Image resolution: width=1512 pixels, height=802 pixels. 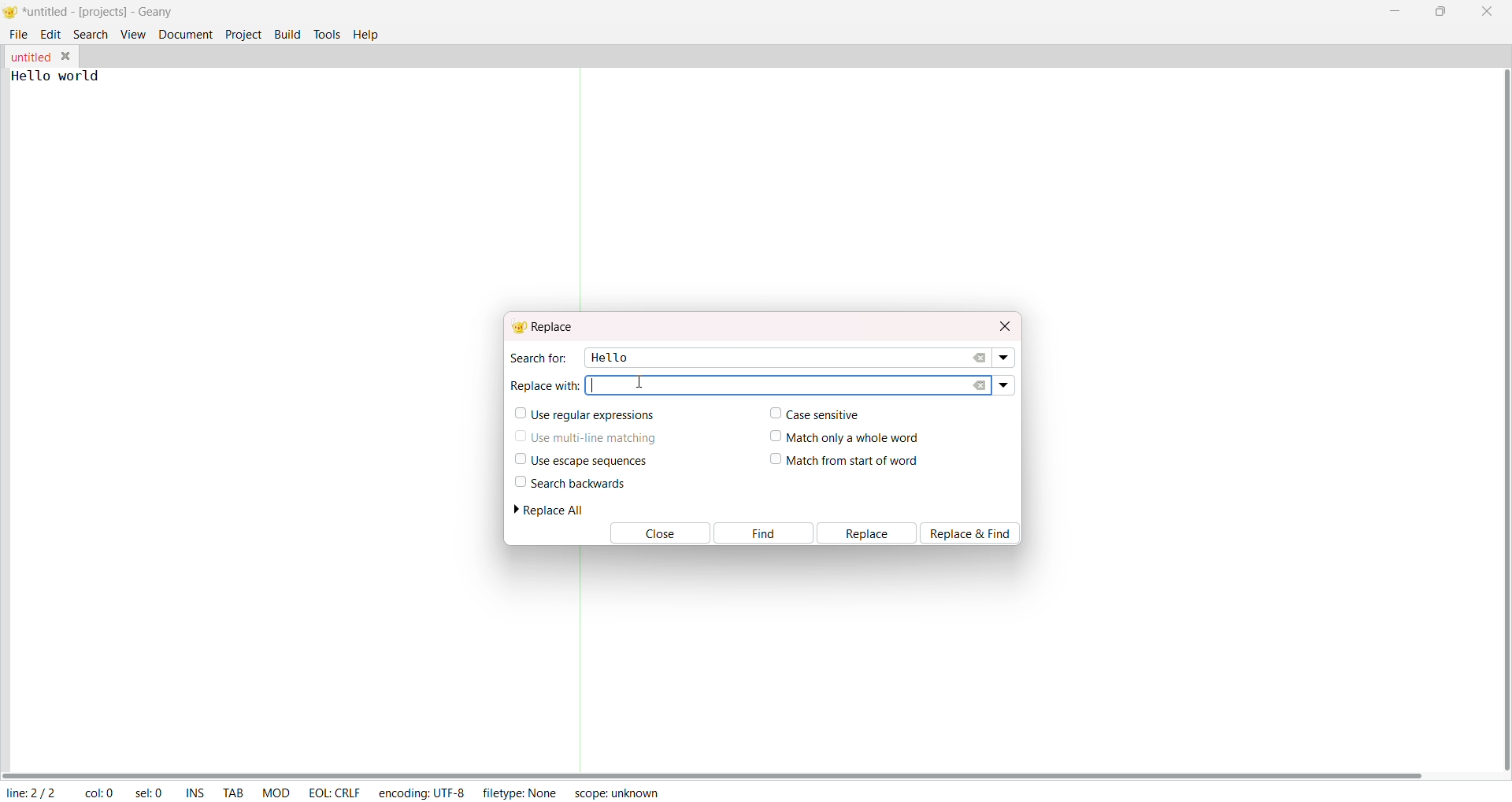 What do you see at coordinates (868, 533) in the screenshot?
I see `replace` at bounding box center [868, 533].